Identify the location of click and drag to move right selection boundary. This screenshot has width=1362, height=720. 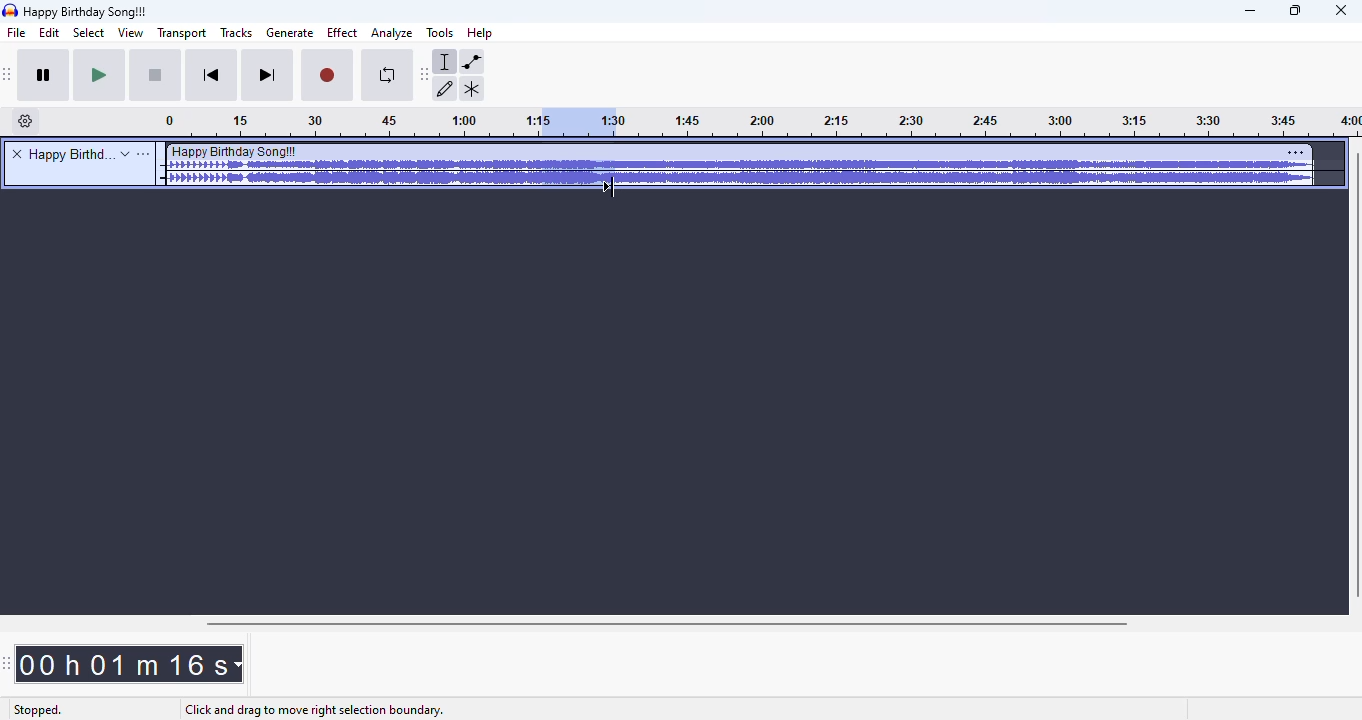
(312, 710).